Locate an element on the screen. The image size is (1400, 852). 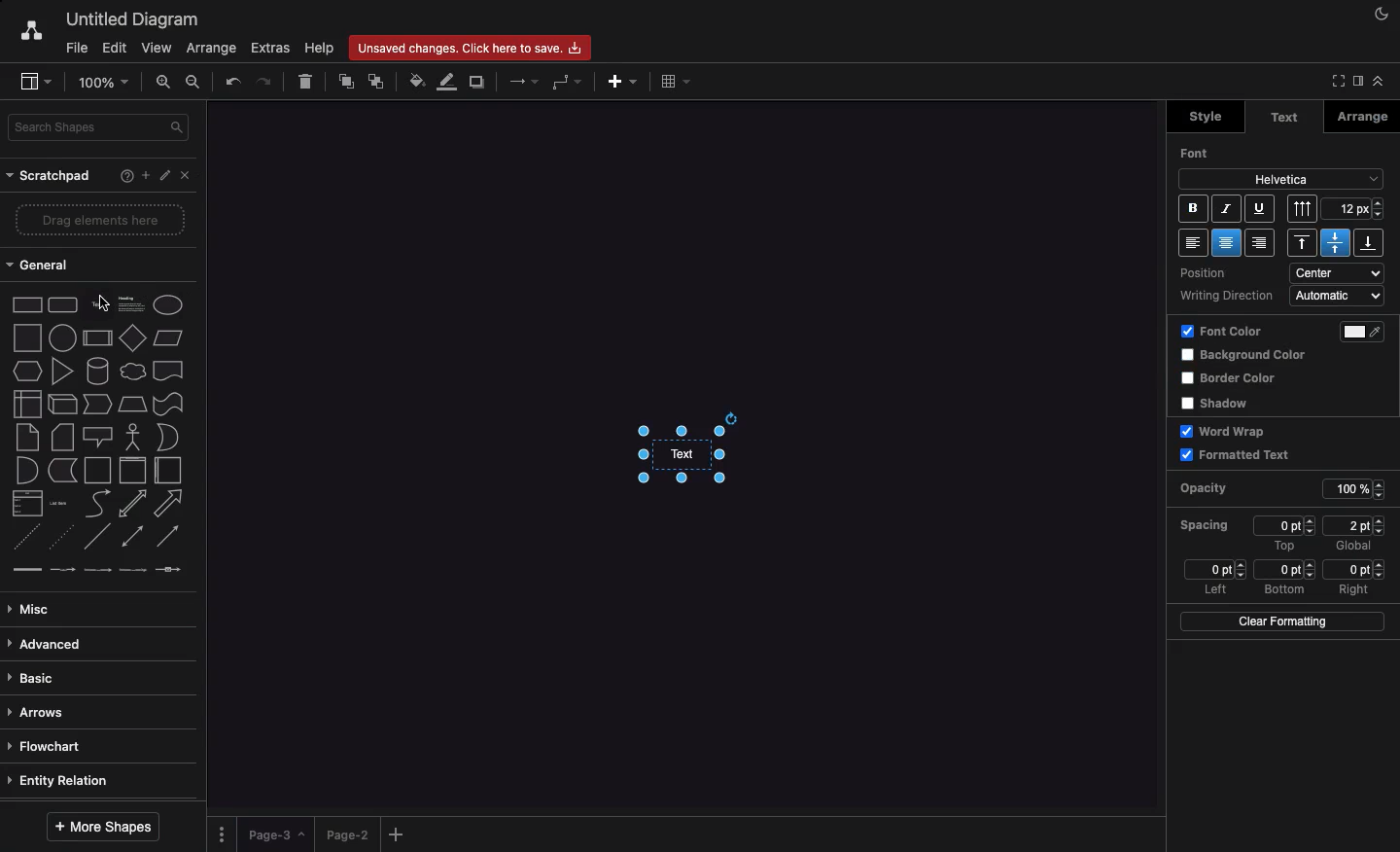
To front is located at coordinates (347, 83).